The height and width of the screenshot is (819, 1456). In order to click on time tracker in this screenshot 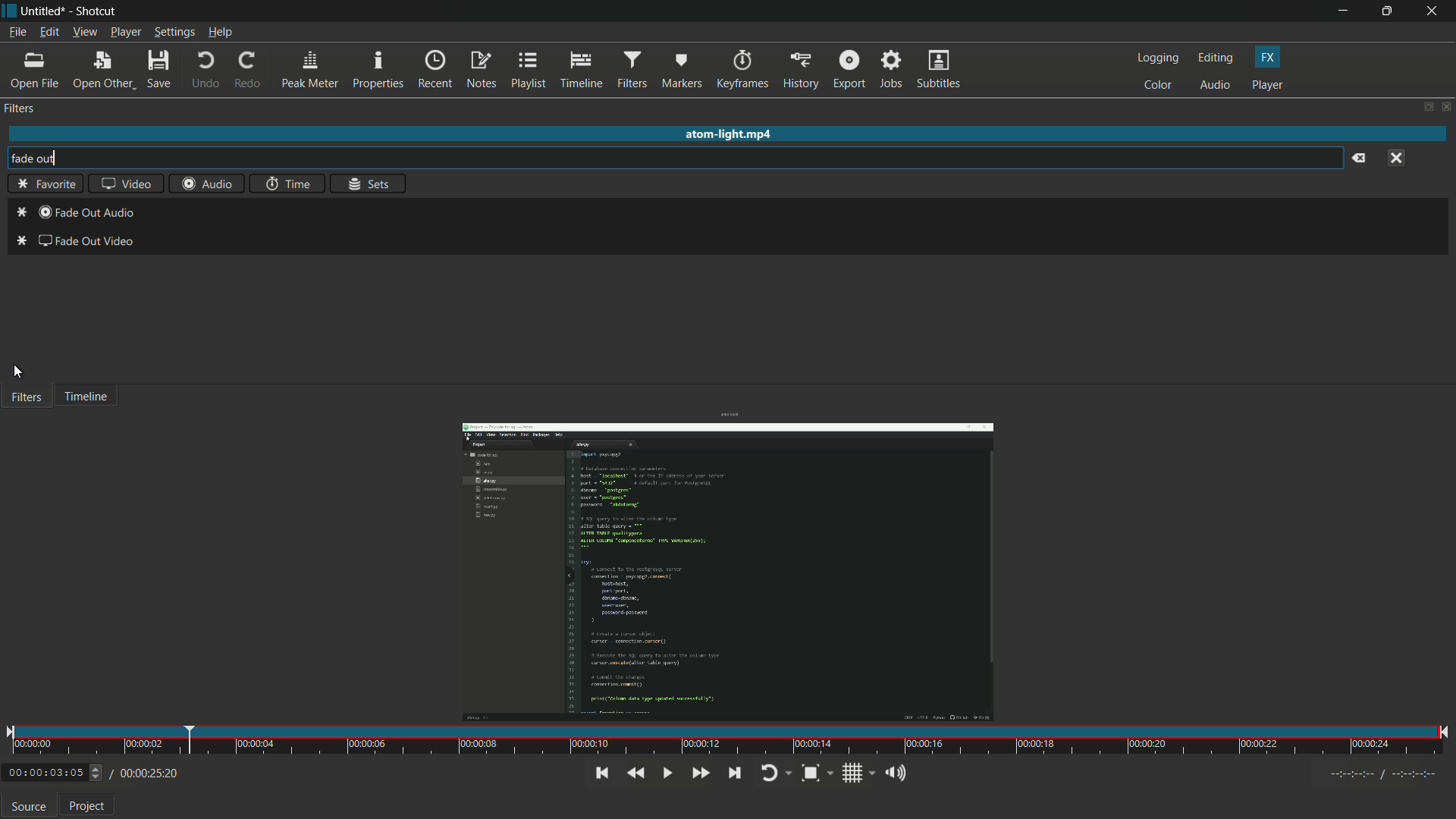, I will do `click(727, 741)`.